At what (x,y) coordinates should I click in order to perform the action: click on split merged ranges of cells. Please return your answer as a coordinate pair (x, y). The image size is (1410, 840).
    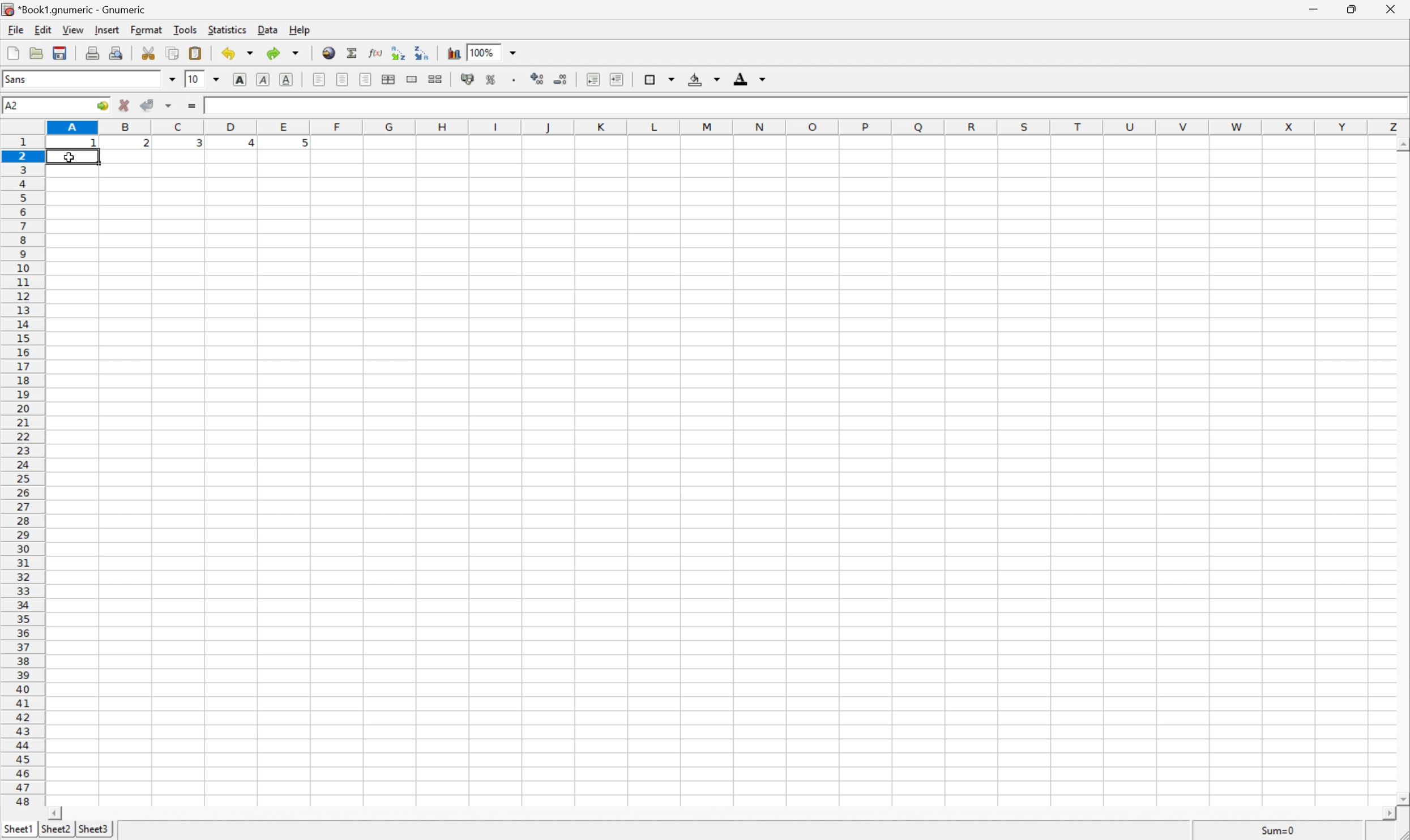
    Looking at the image, I should click on (437, 78).